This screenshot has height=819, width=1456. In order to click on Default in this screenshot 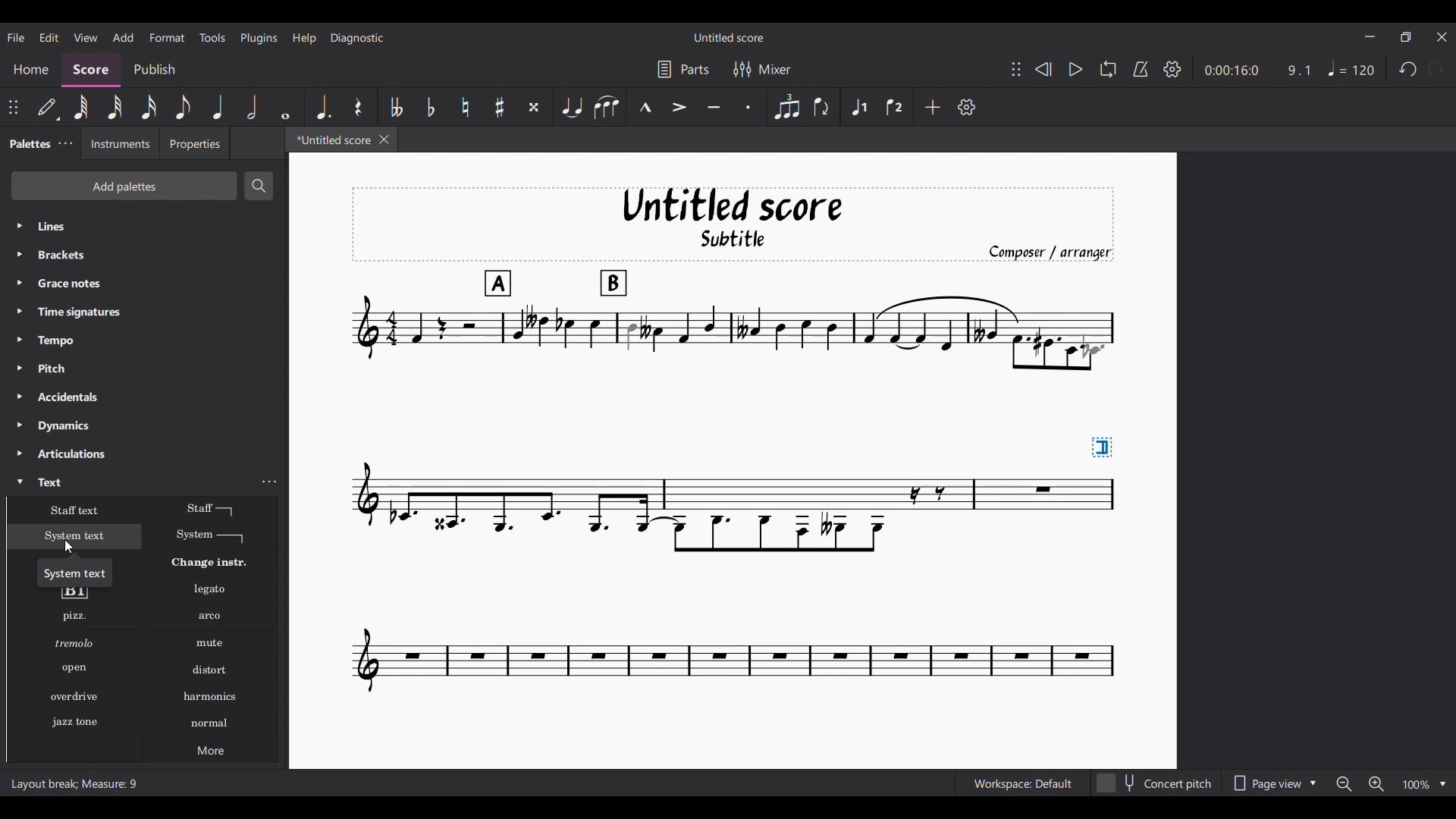, I will do `click(48, 107)`.